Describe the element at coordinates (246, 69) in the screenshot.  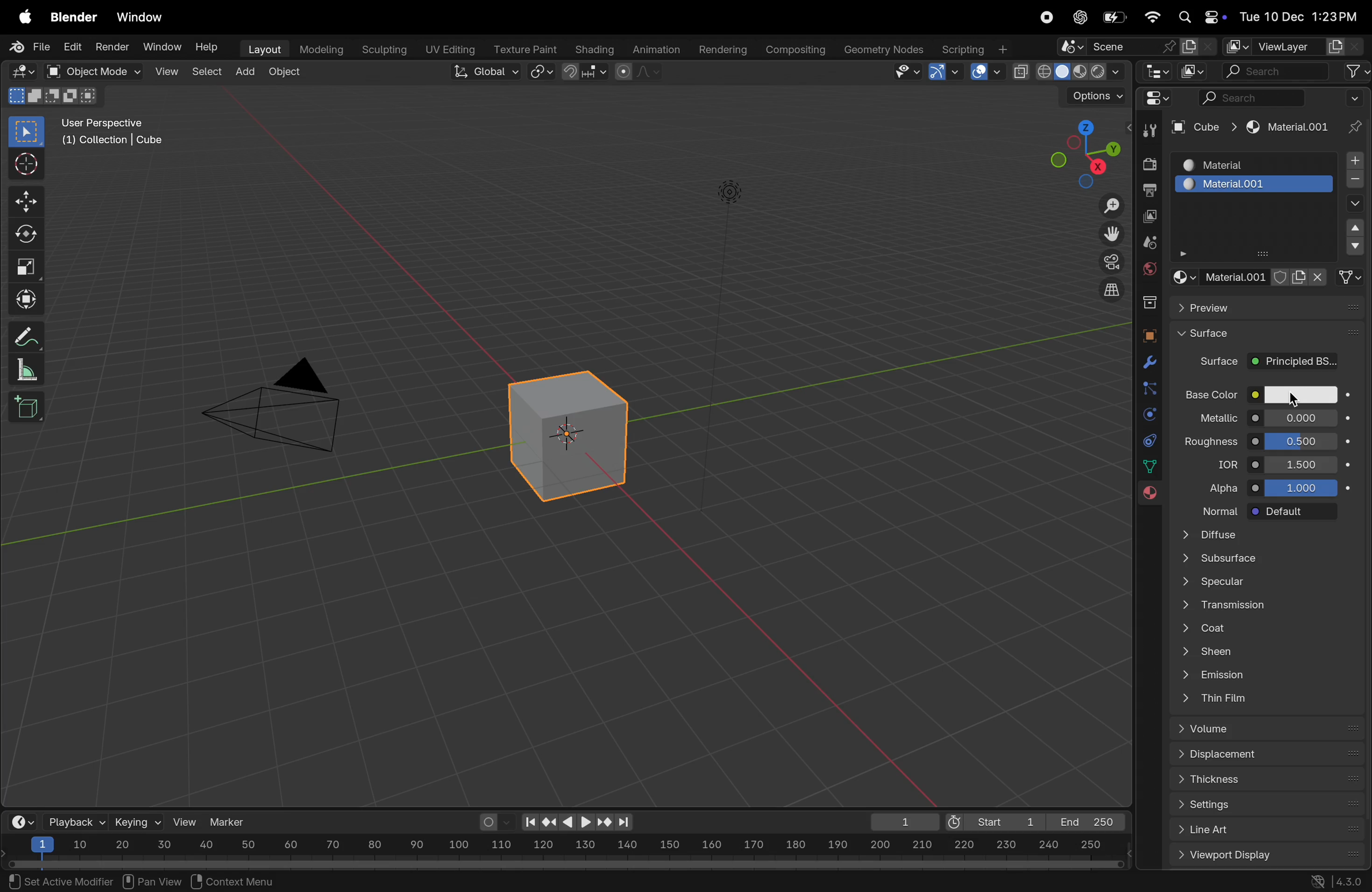
I see `add` at that location.